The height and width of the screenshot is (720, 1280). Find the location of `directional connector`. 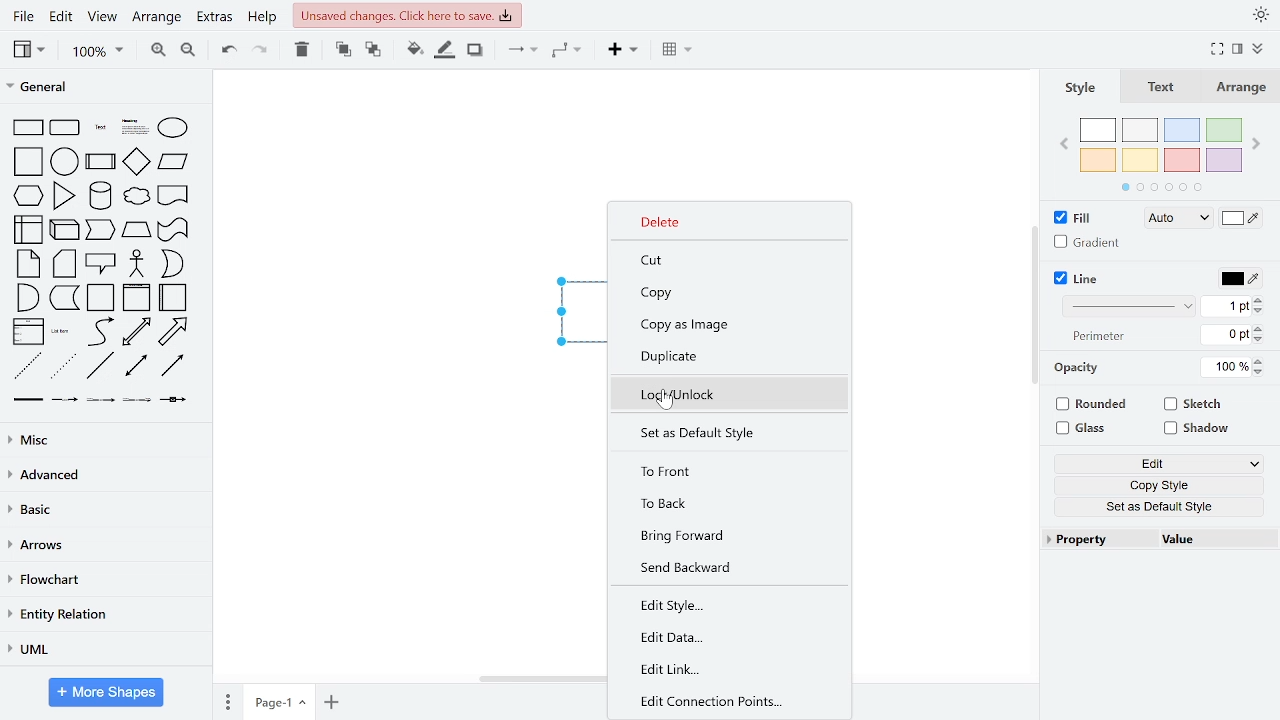

directional connector is located at coordinates (170, 367).